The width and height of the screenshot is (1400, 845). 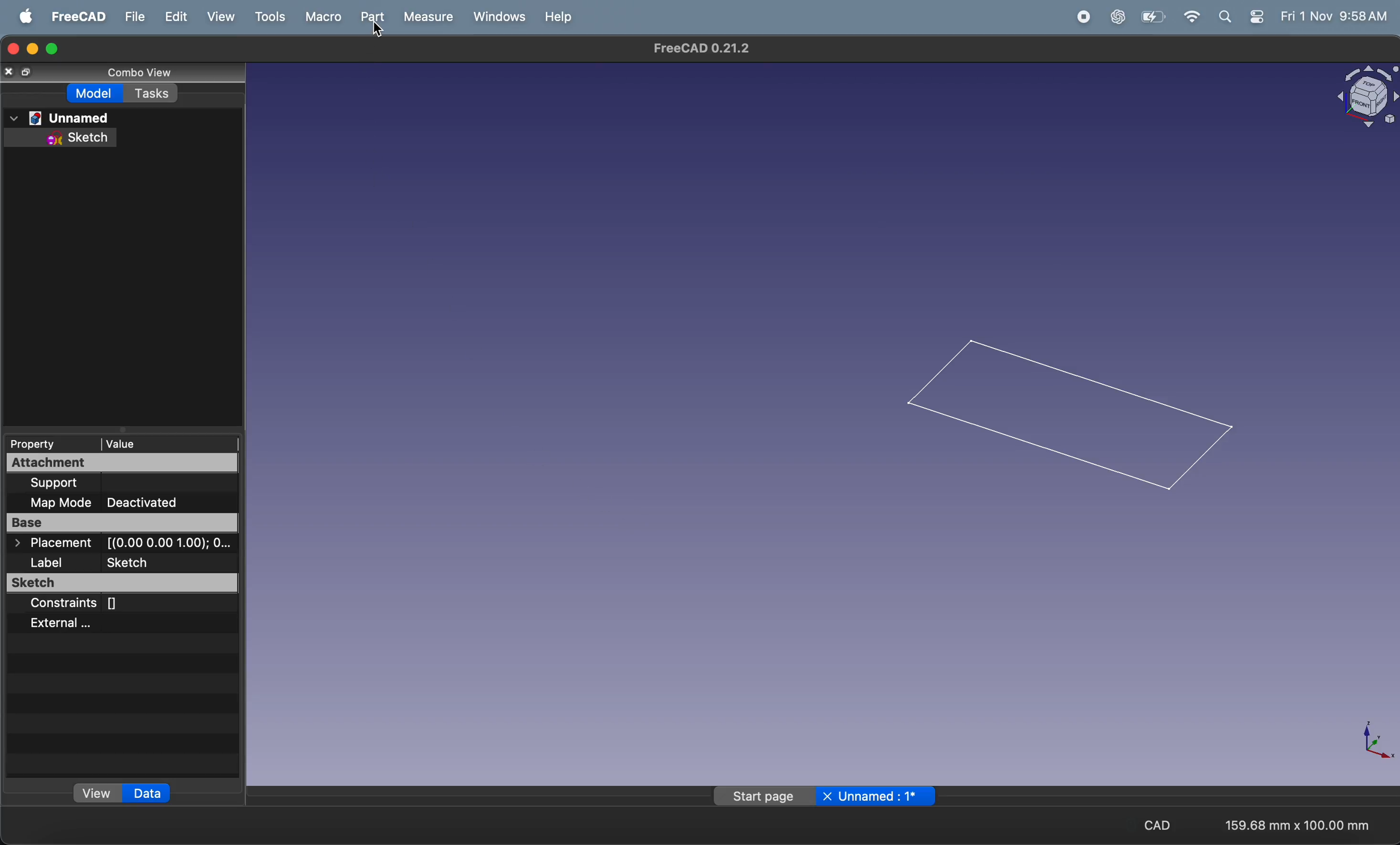 What do you see at coordinates (55, 48) in the screenshot?
I see `maximize` at bounding box center [55, 48].